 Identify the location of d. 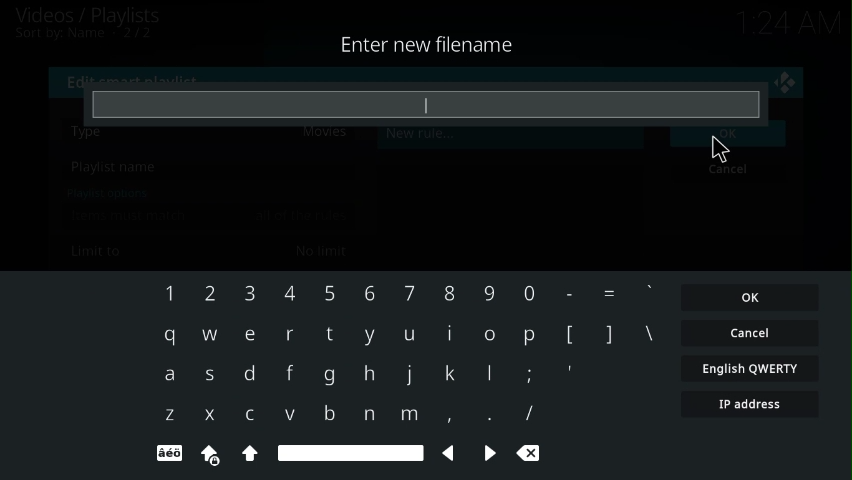
(248, 375).